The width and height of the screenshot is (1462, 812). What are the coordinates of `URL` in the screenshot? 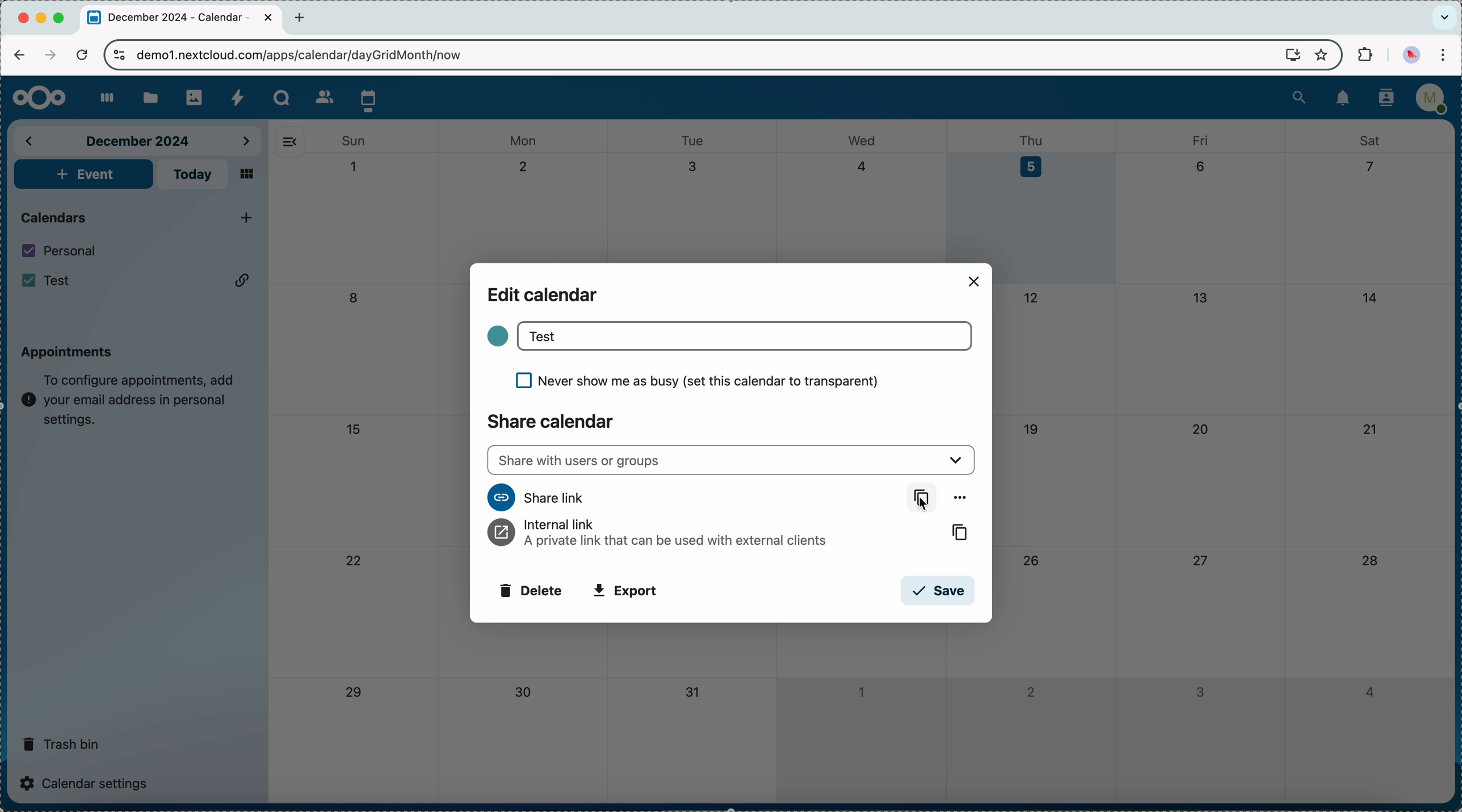 It's located at (309, 54).